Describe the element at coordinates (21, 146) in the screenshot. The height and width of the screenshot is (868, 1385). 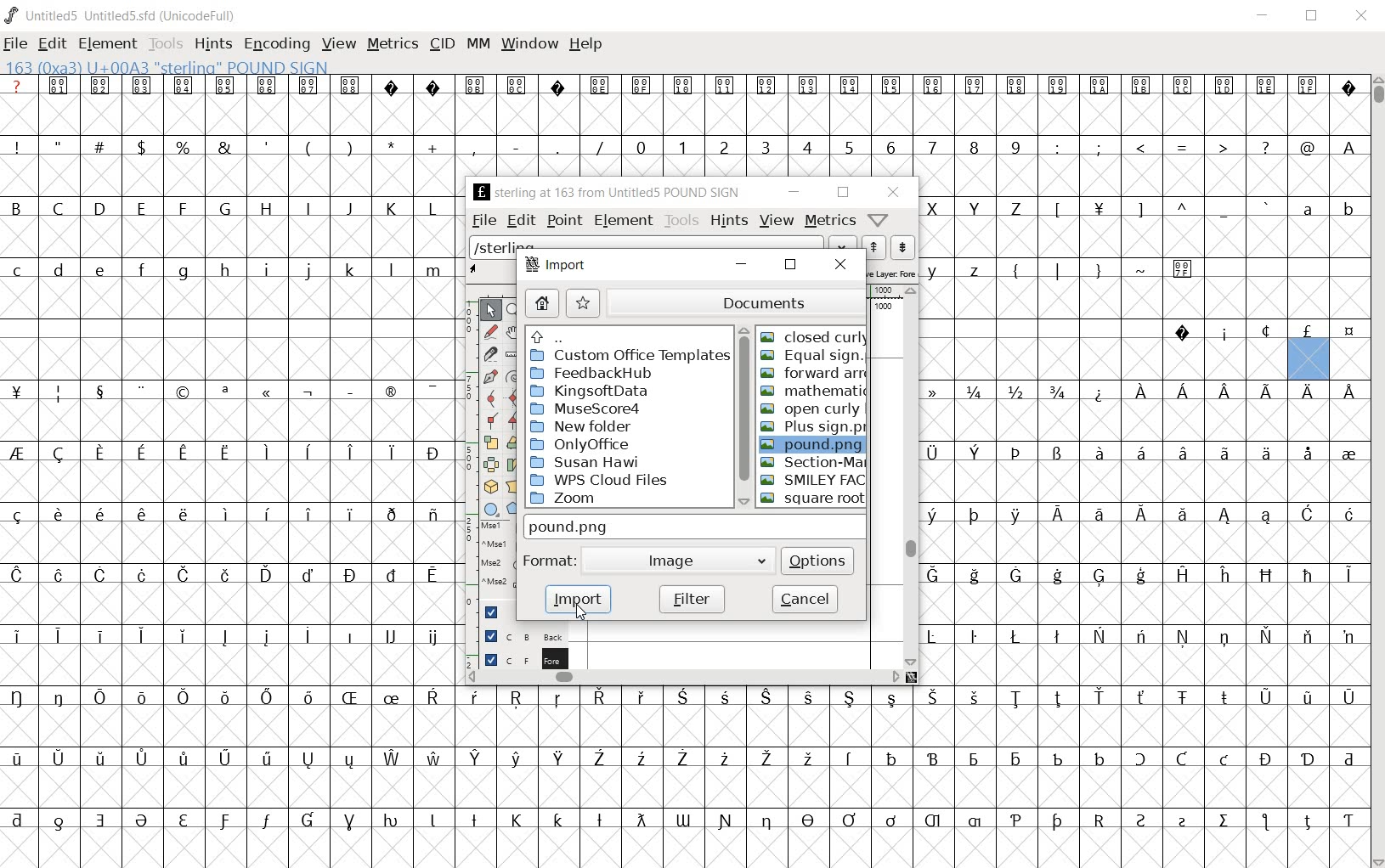
I see `!` at that location.